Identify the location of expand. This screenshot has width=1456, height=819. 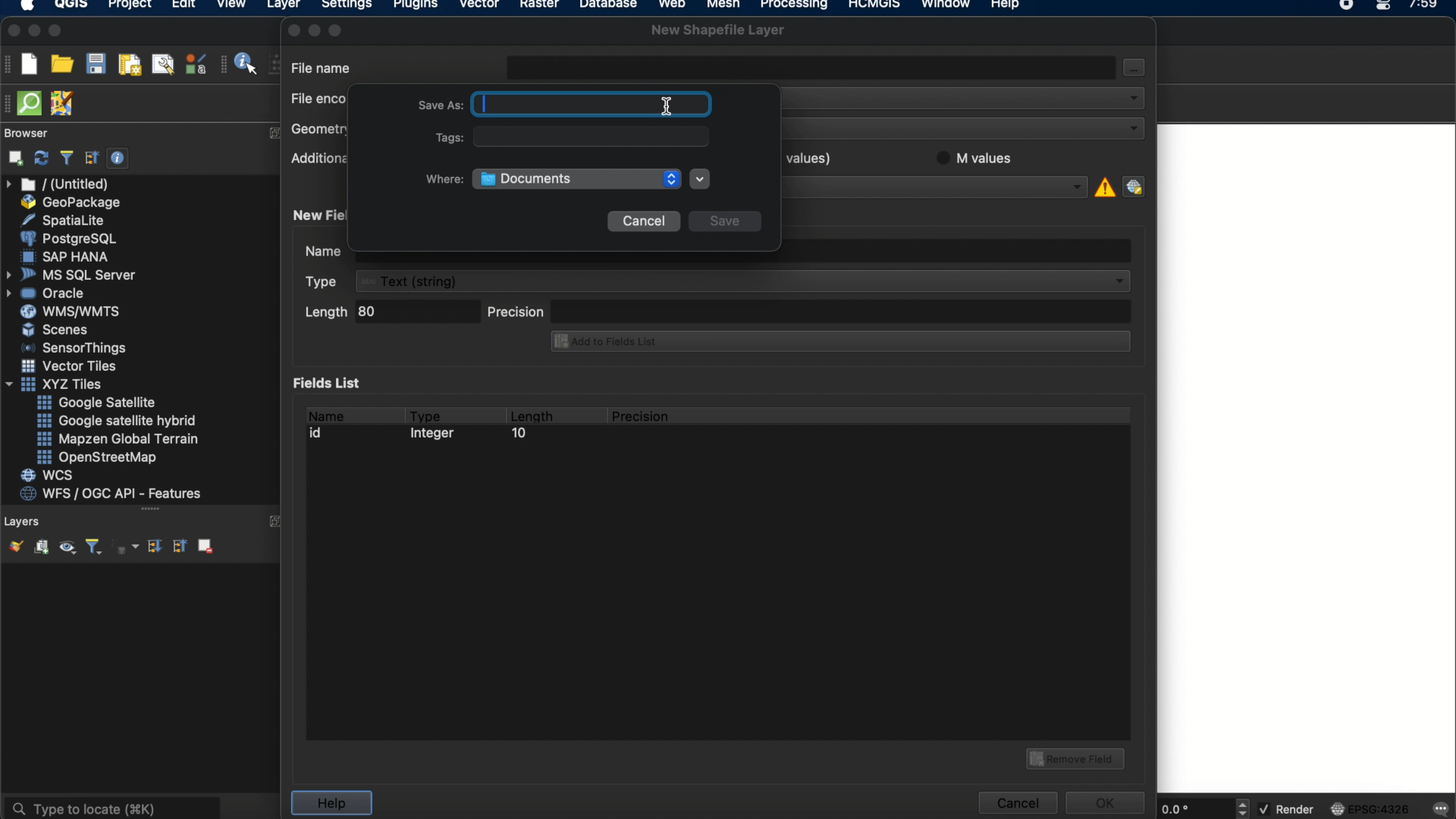
(276, 133).